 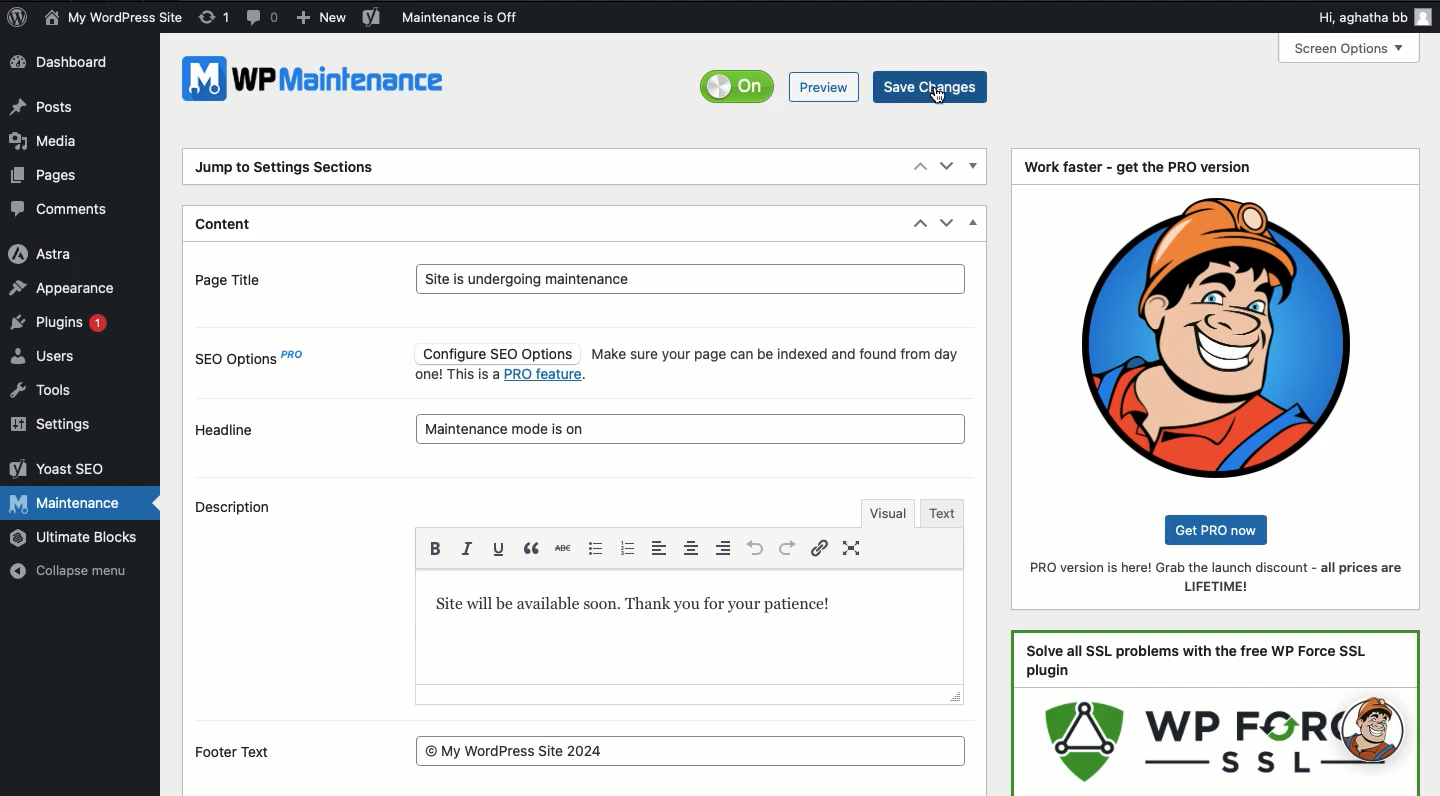 What do you see at coordinates (693, 427) in the screenshot?
I see `maintenance` at bounding box center [693, 427].